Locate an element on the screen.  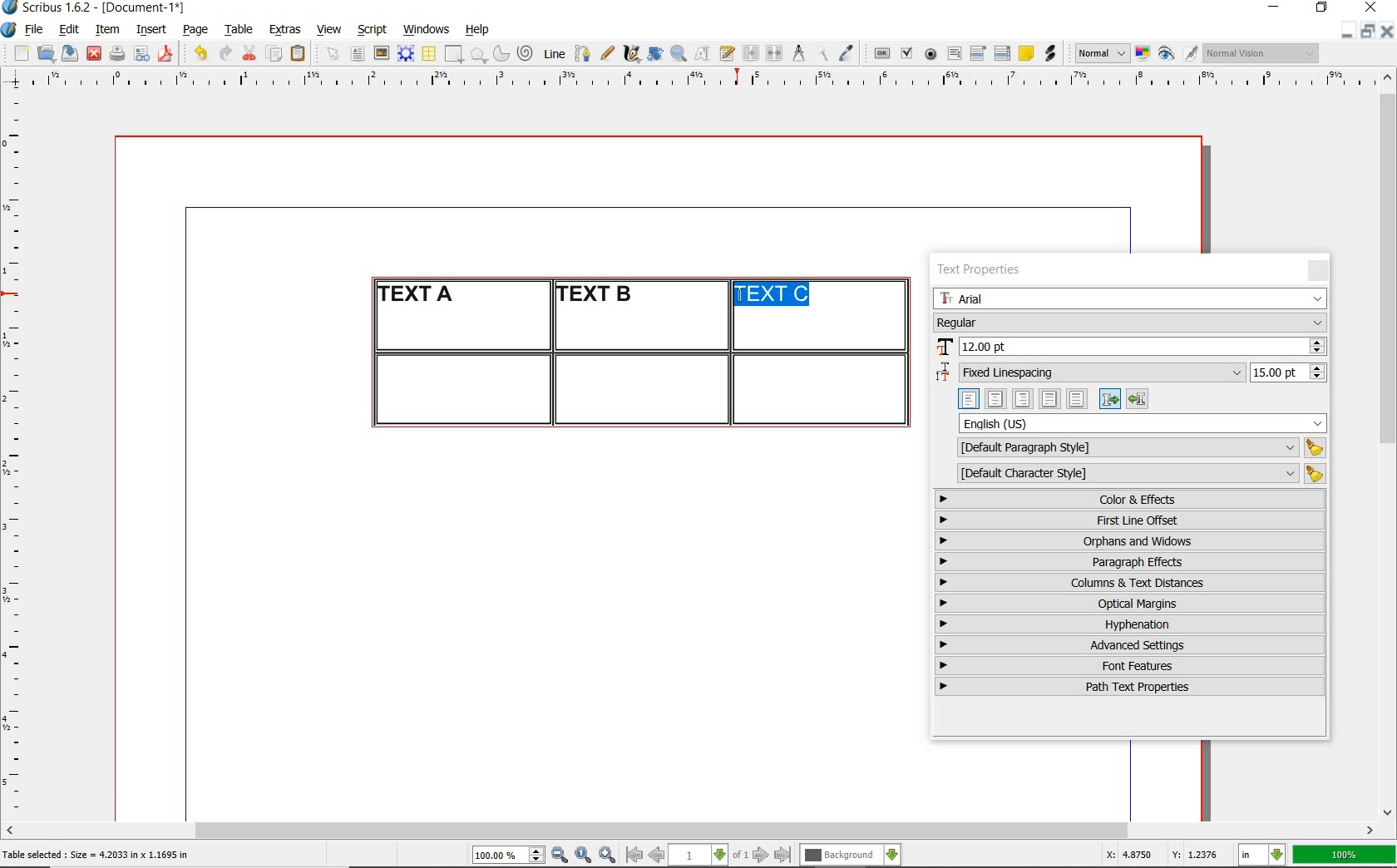
zoom to is located at coordinates (584, 856).